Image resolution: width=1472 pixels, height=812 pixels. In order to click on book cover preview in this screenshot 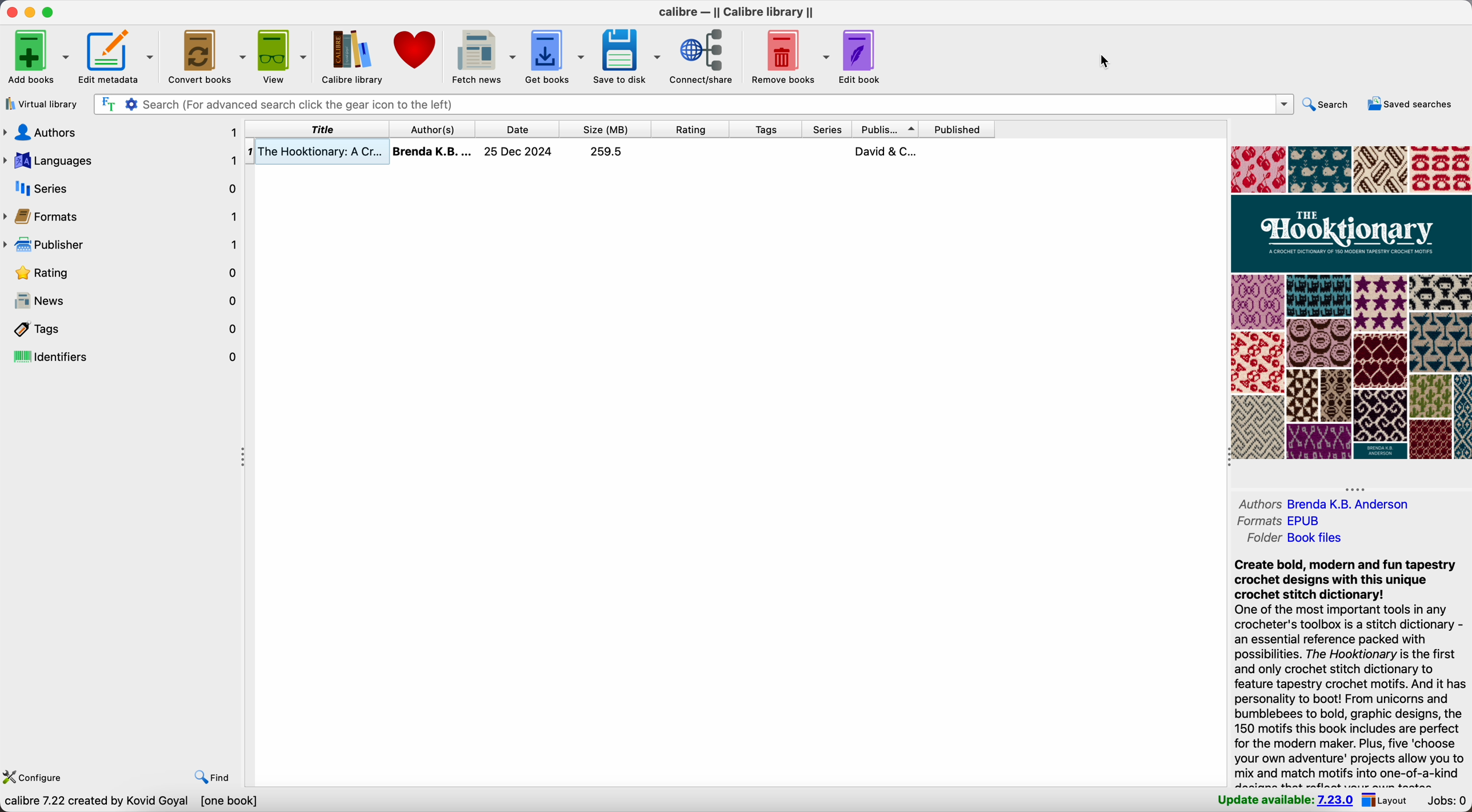, I will do `click(1351, 303)`.